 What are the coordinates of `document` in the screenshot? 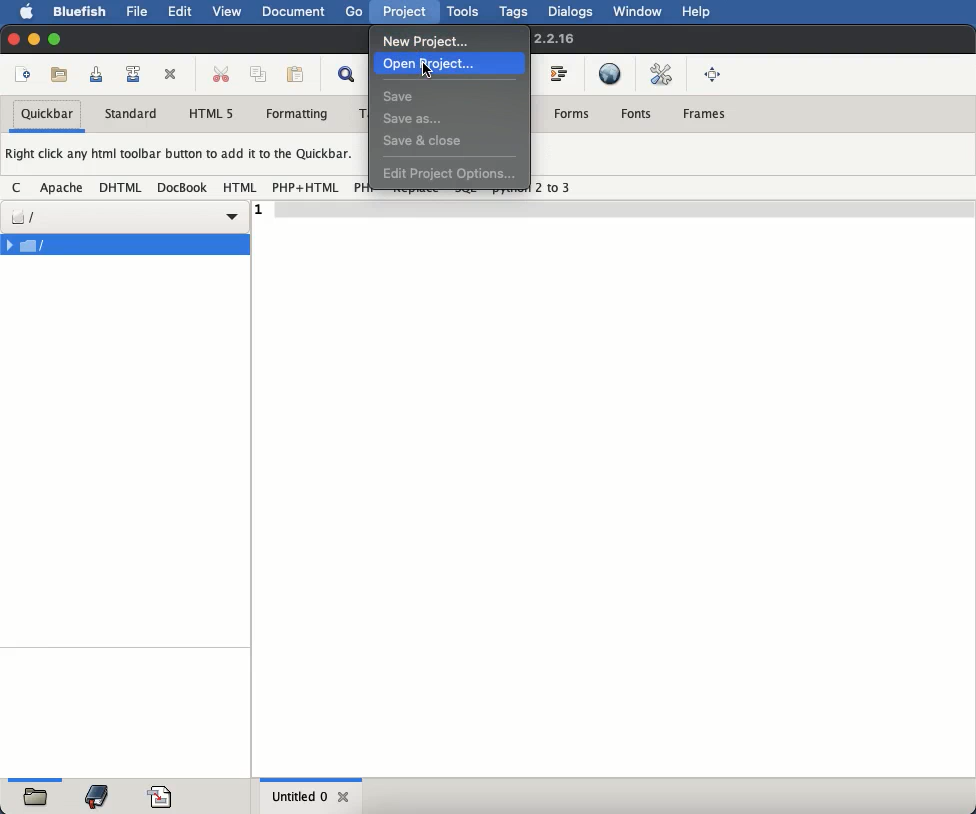 It's located at (293, 10).